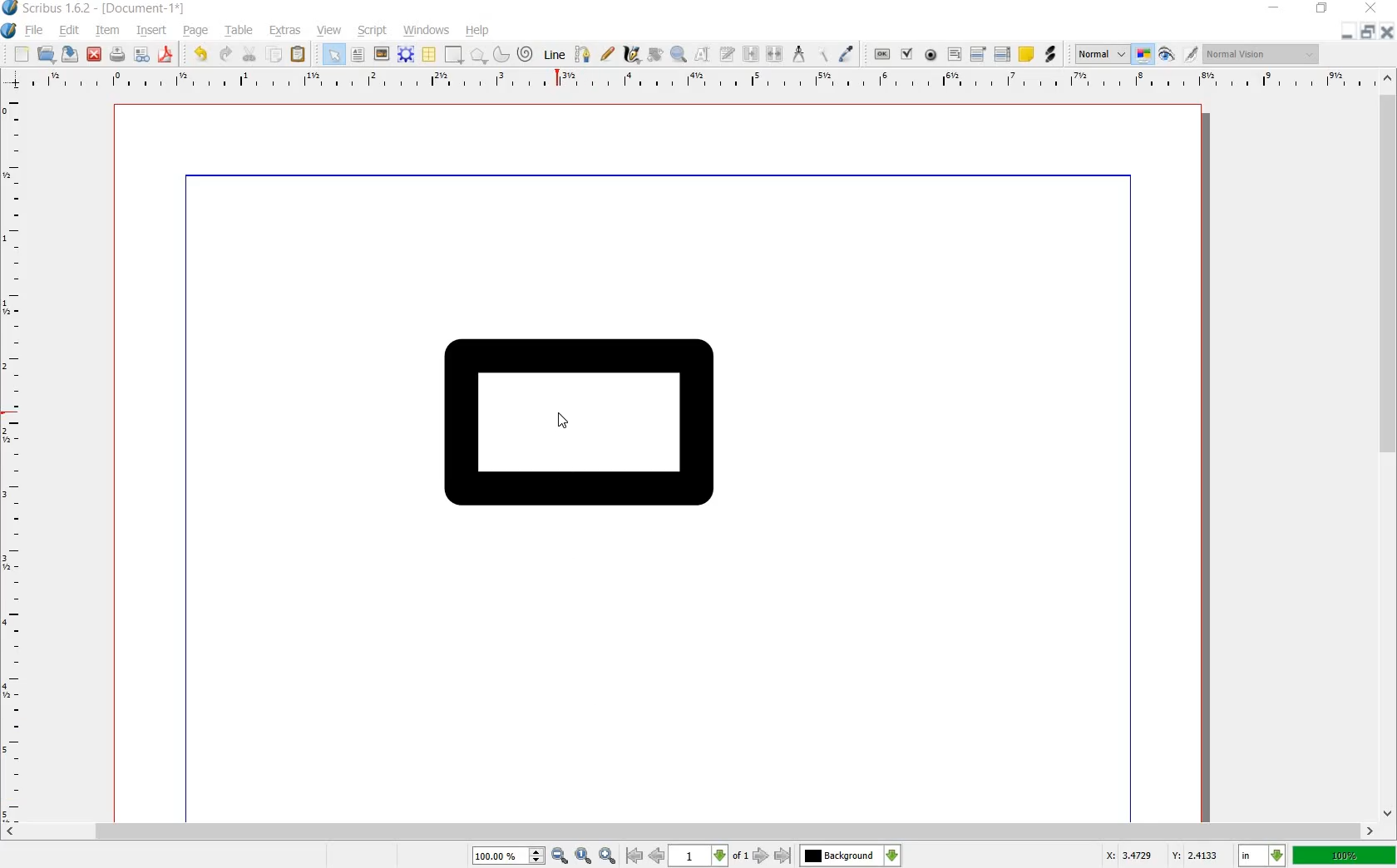  What do you see at coordinates (1260, 55) in the screenshot?
I see `visual appearance of the display` at bounding box center [1260, 55].